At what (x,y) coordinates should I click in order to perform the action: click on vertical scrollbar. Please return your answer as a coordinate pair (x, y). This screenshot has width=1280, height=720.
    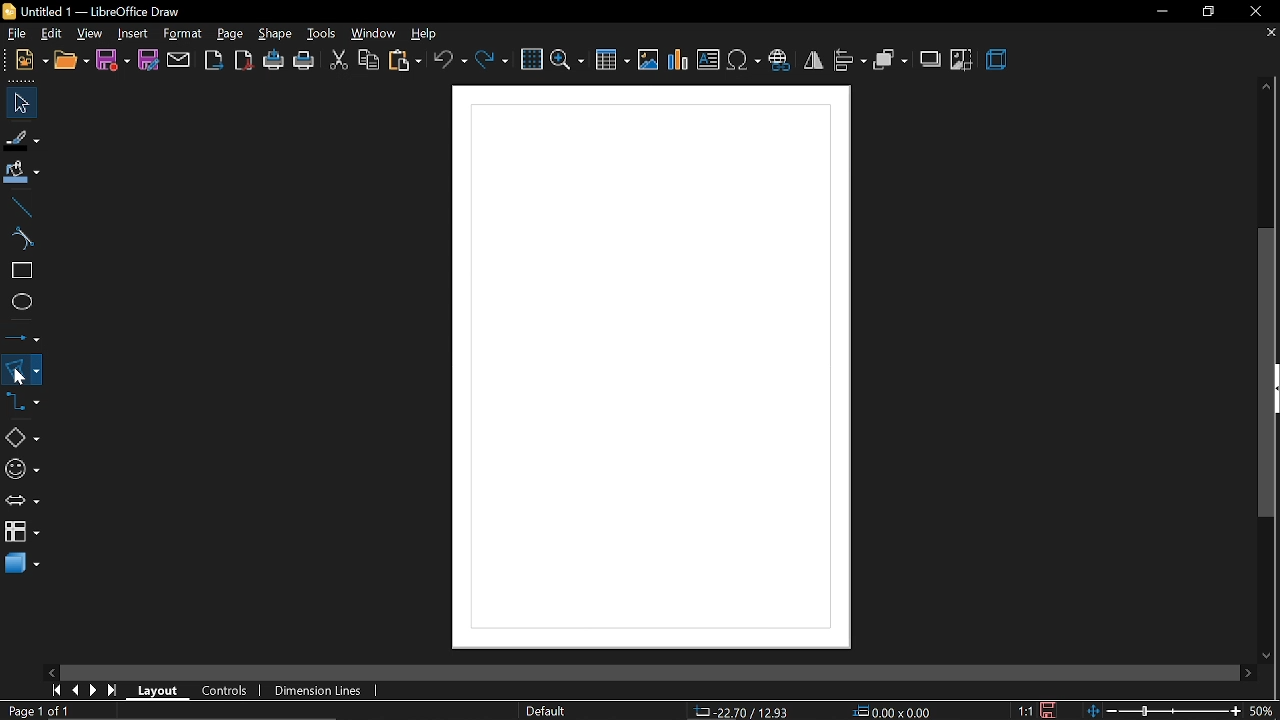
    Looking at the image, I should click on (1268, 373).